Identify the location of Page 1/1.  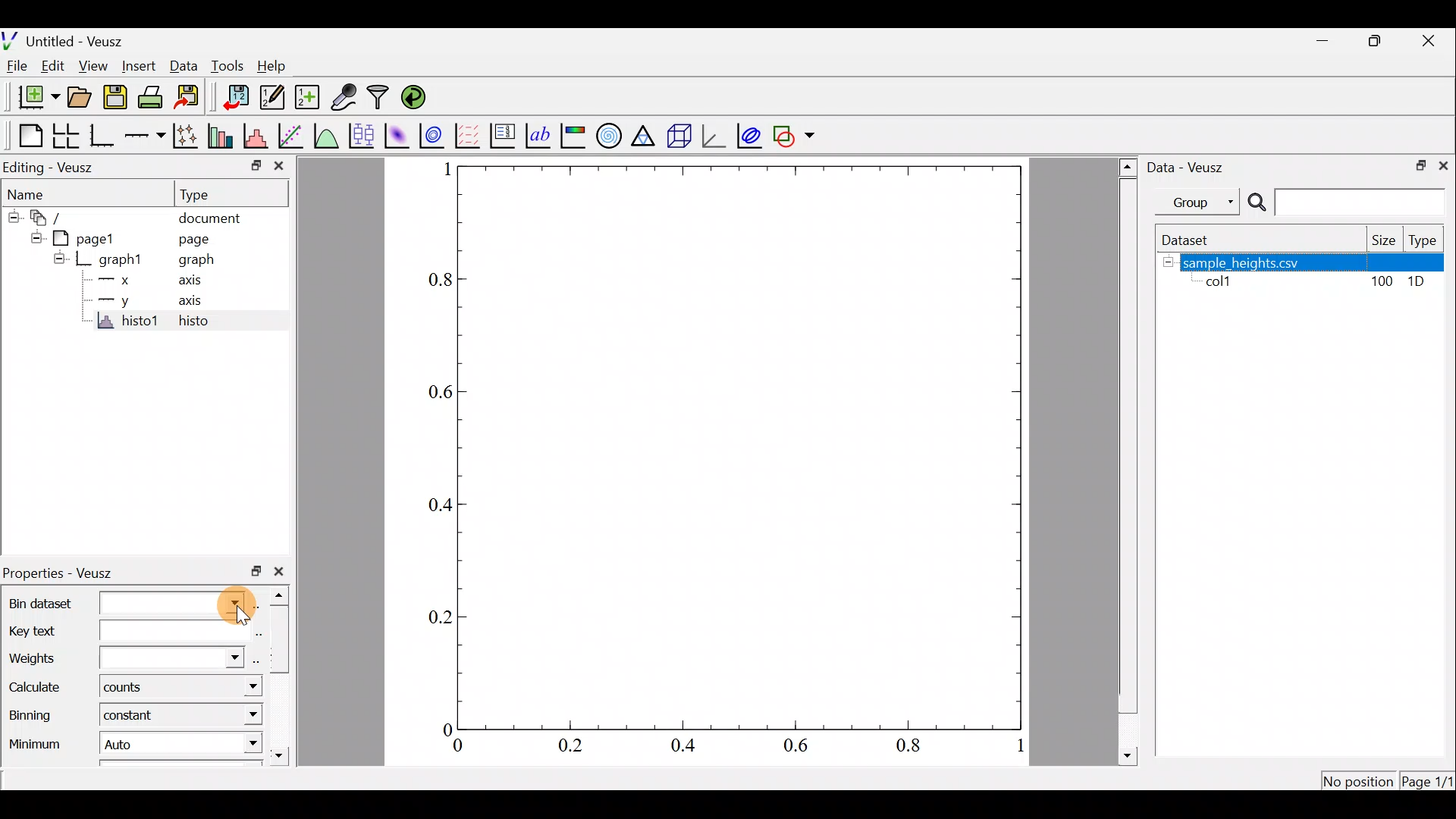
(1426, 783).